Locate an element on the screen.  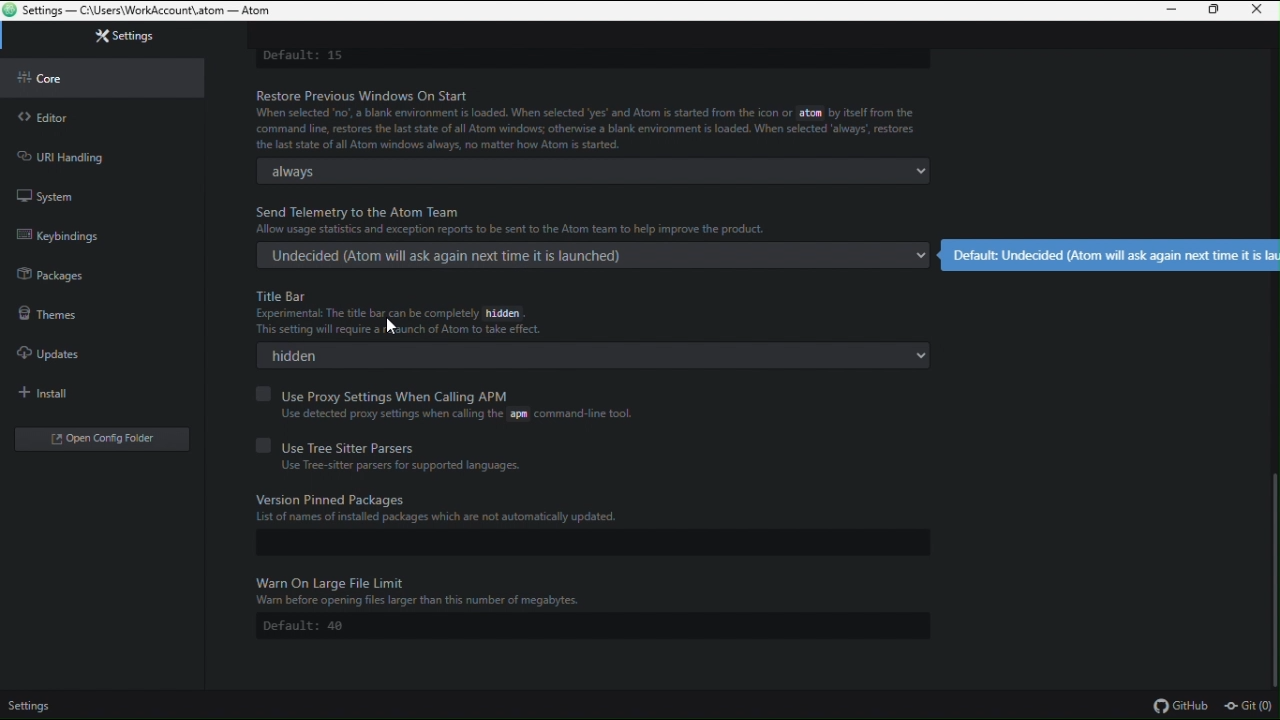
Restore Previous Windows On Start

When selected na,» blank environment i loaded. When selected yes’ and Atom i stared from the icon or atm by tel rom the
command line, restores th Last sate of ll Atom windows; these a blank environment loaded. When selected sways’, restores
the las state of all Atom windows aways, no matter how Atom started. is located at coordinates (585, 119).